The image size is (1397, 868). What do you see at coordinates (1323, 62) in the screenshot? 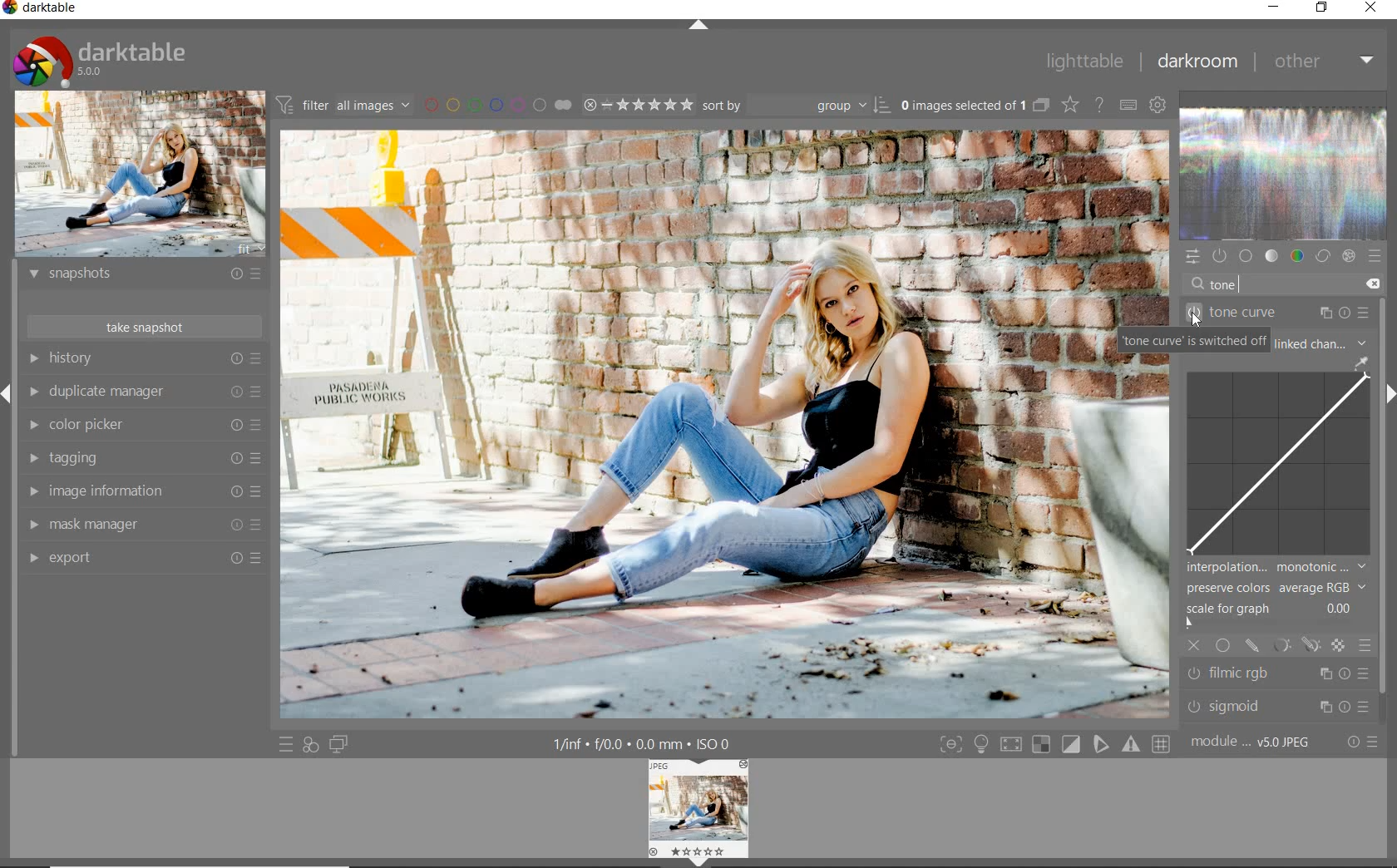
I see `other` at bounding box center [1323, 62].